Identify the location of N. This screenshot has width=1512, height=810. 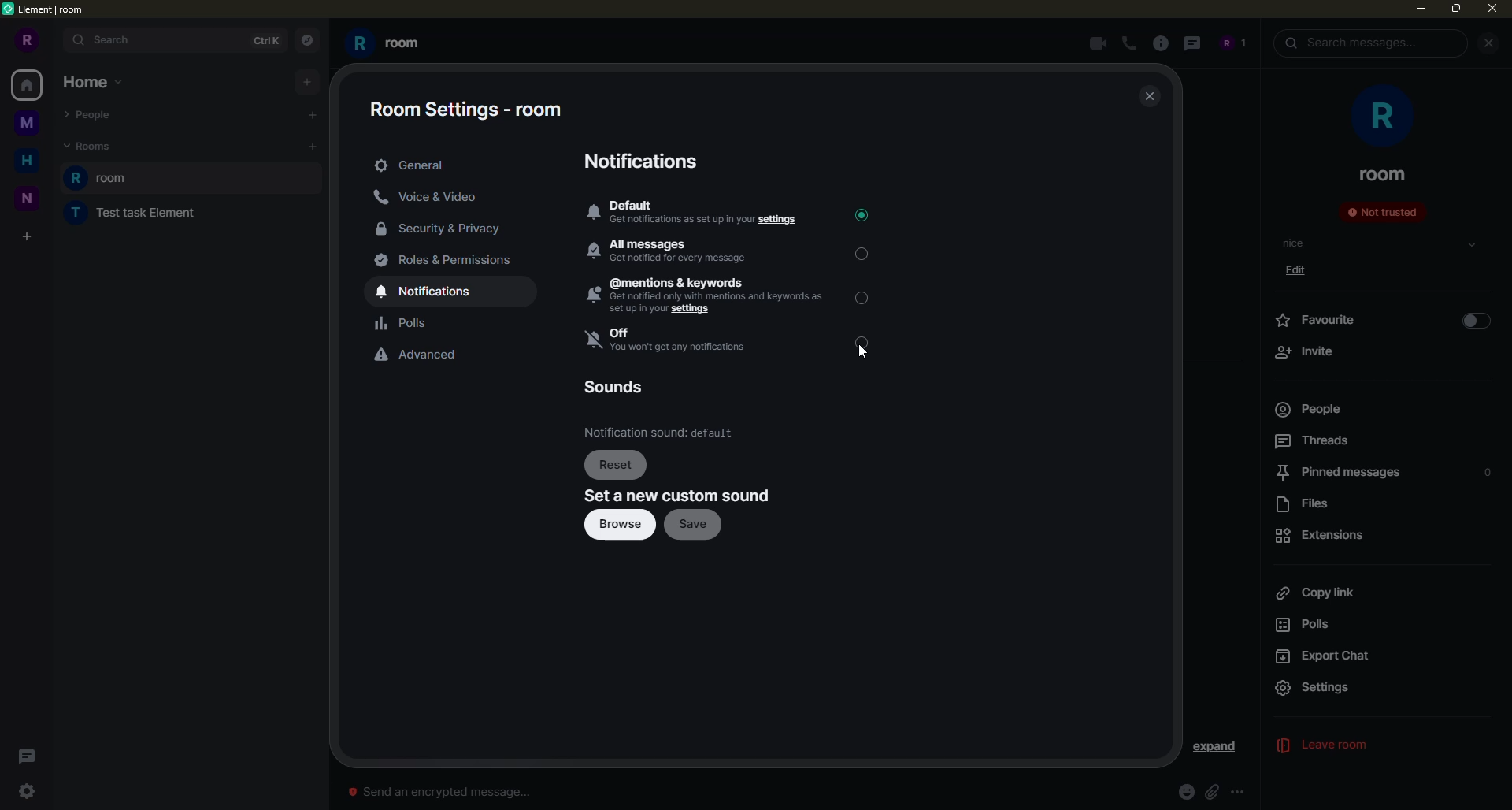
(28, 199).